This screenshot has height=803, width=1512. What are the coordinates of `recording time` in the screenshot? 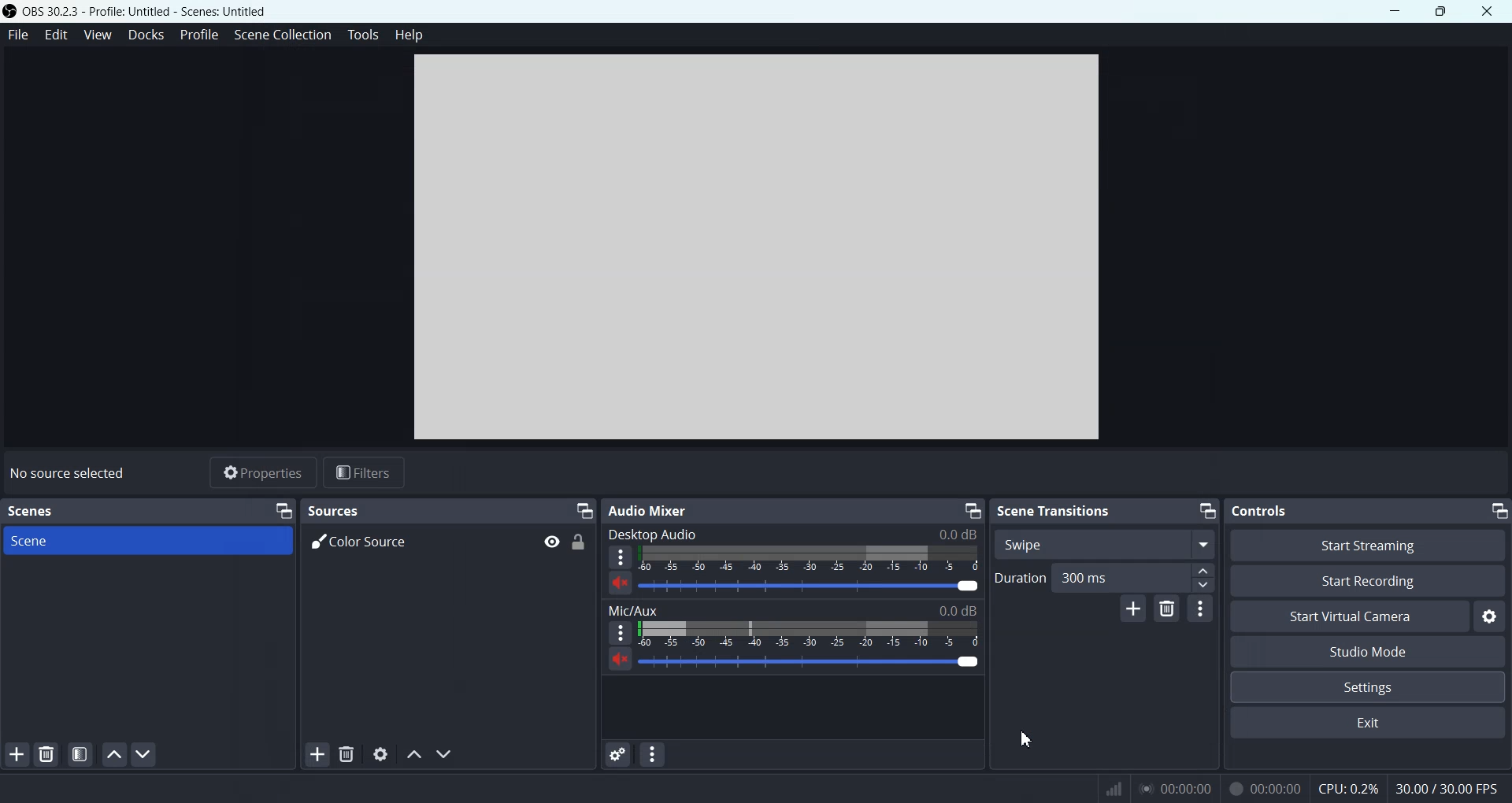 It's located at (1262, 788).